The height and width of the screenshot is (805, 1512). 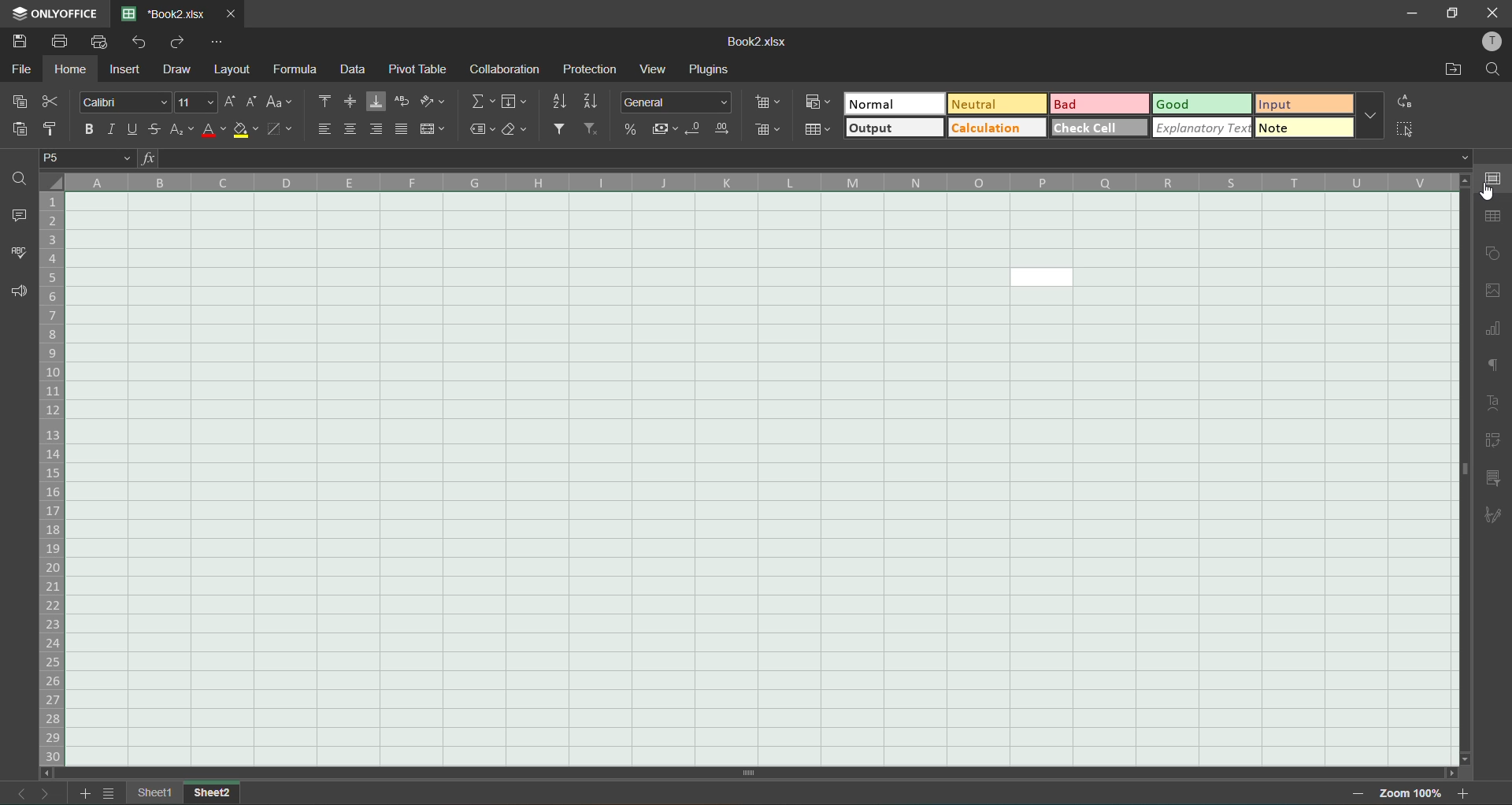 I want to click on align center, so click(x=353, y=130).